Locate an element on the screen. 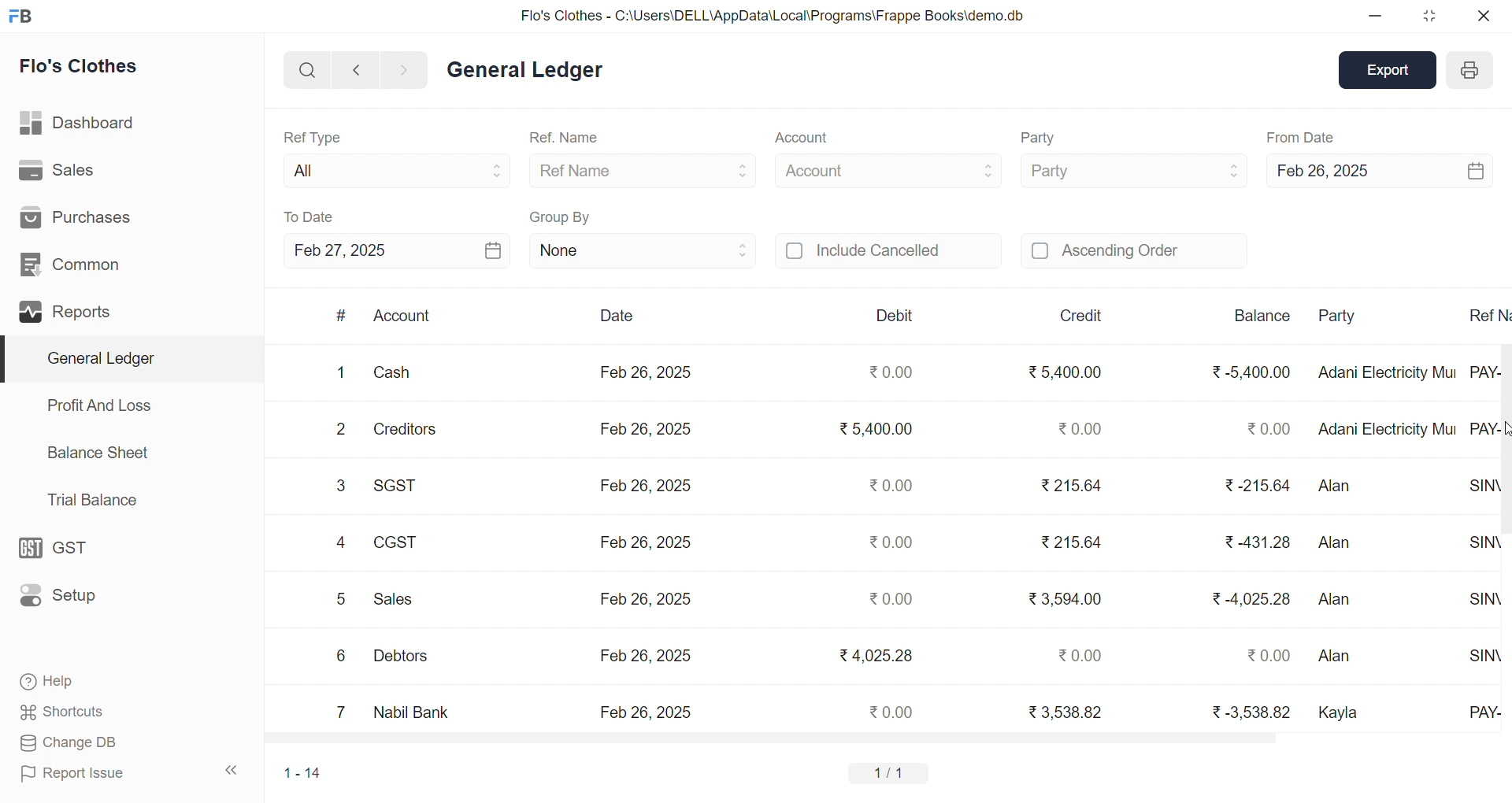 This screenshot has width=1512, height=803. SINV- is located at coordinates (1473, 598).